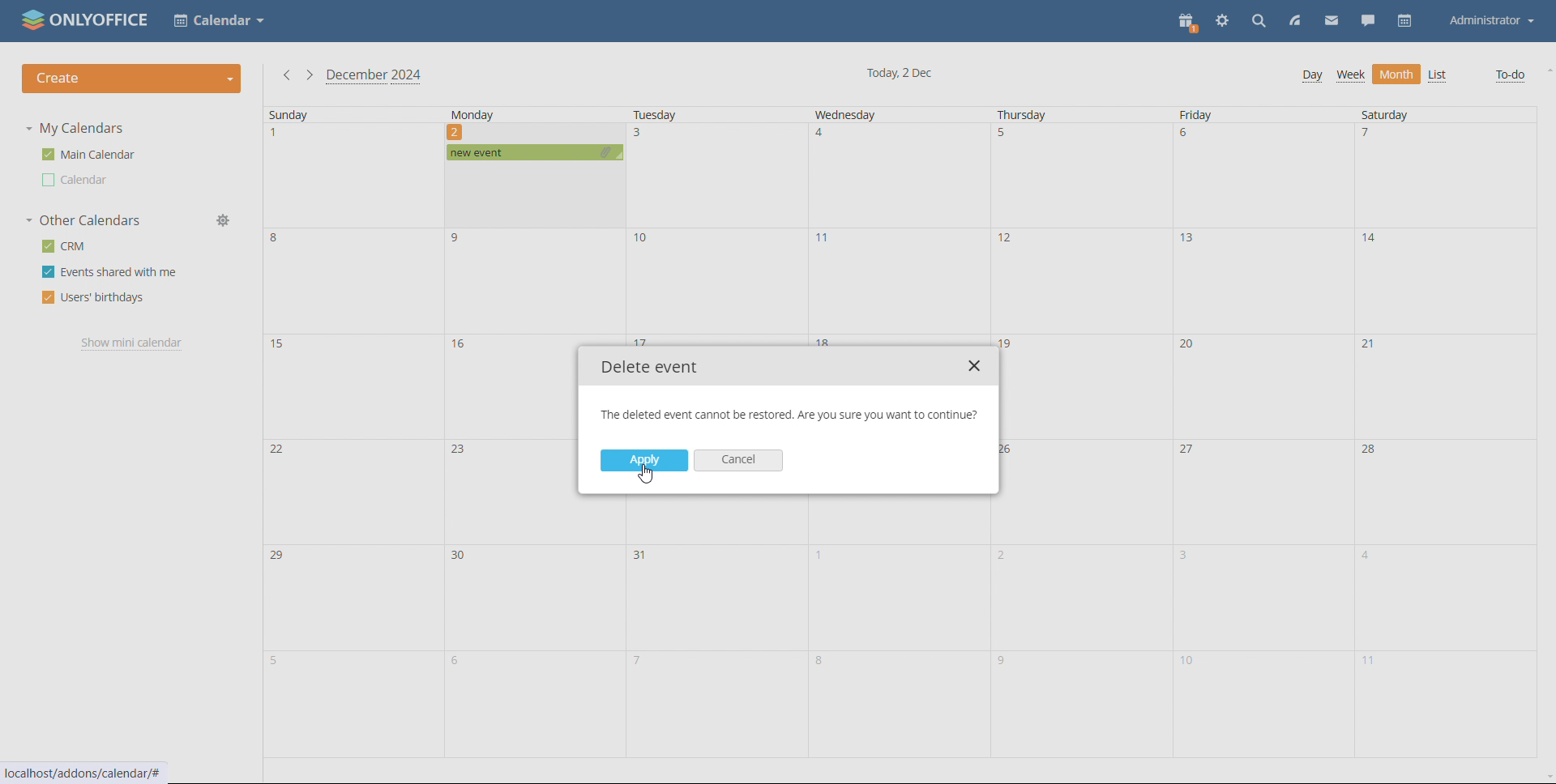  Describe the element at coordinates (278, 138) in the screenshot. I see `1` at that location.